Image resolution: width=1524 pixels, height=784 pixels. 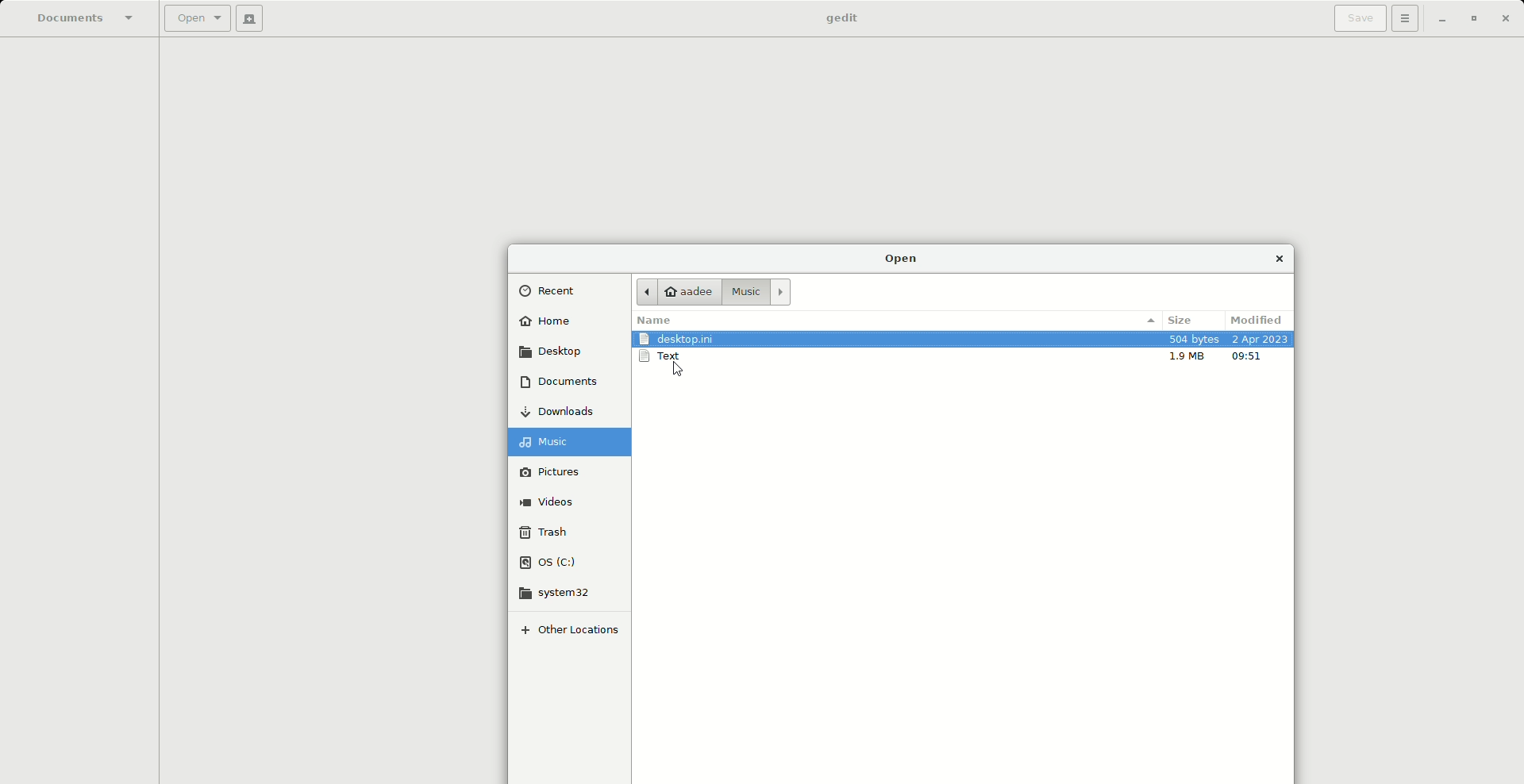 I want to click on Size, so click(x=1184, y=320).